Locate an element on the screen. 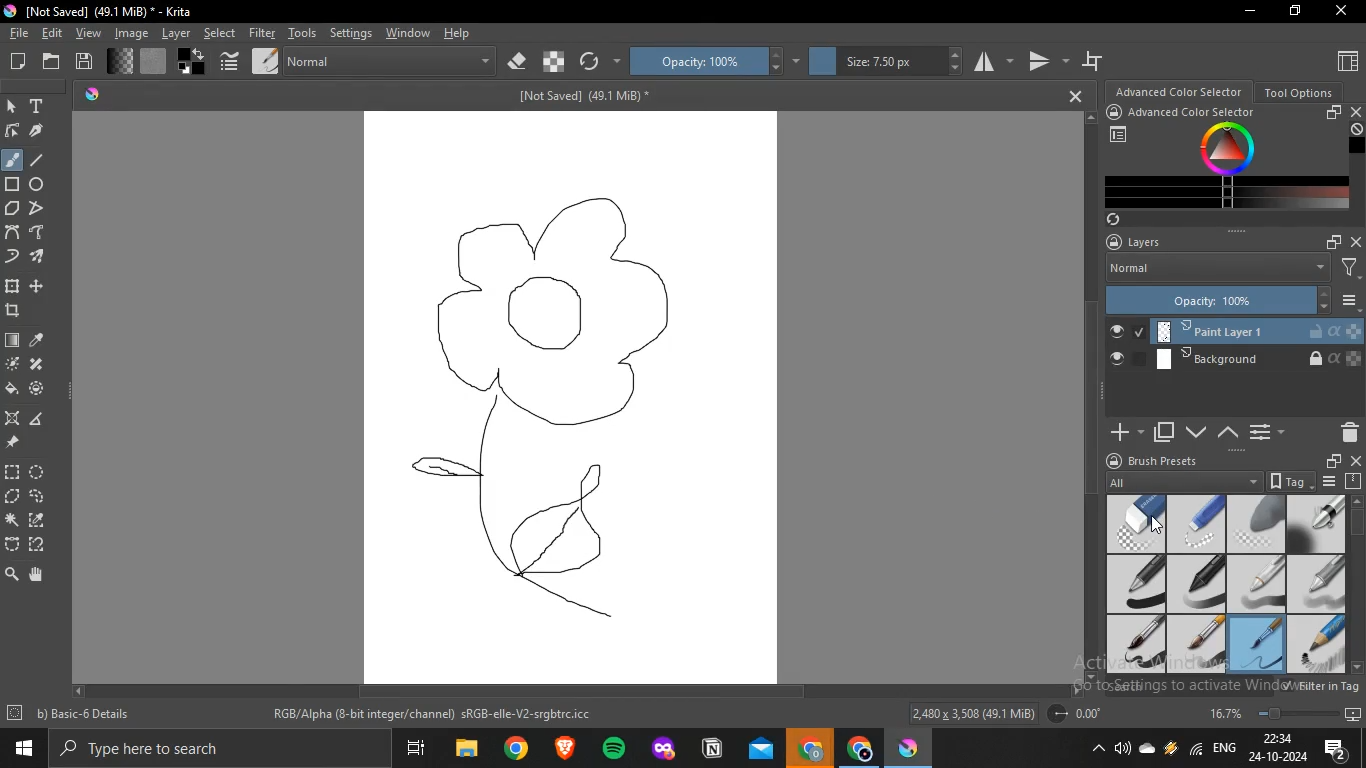 Image resolution: width=1366 pixels, height=768 pixels. Scrollbar is located at coordinates (1357, 574).